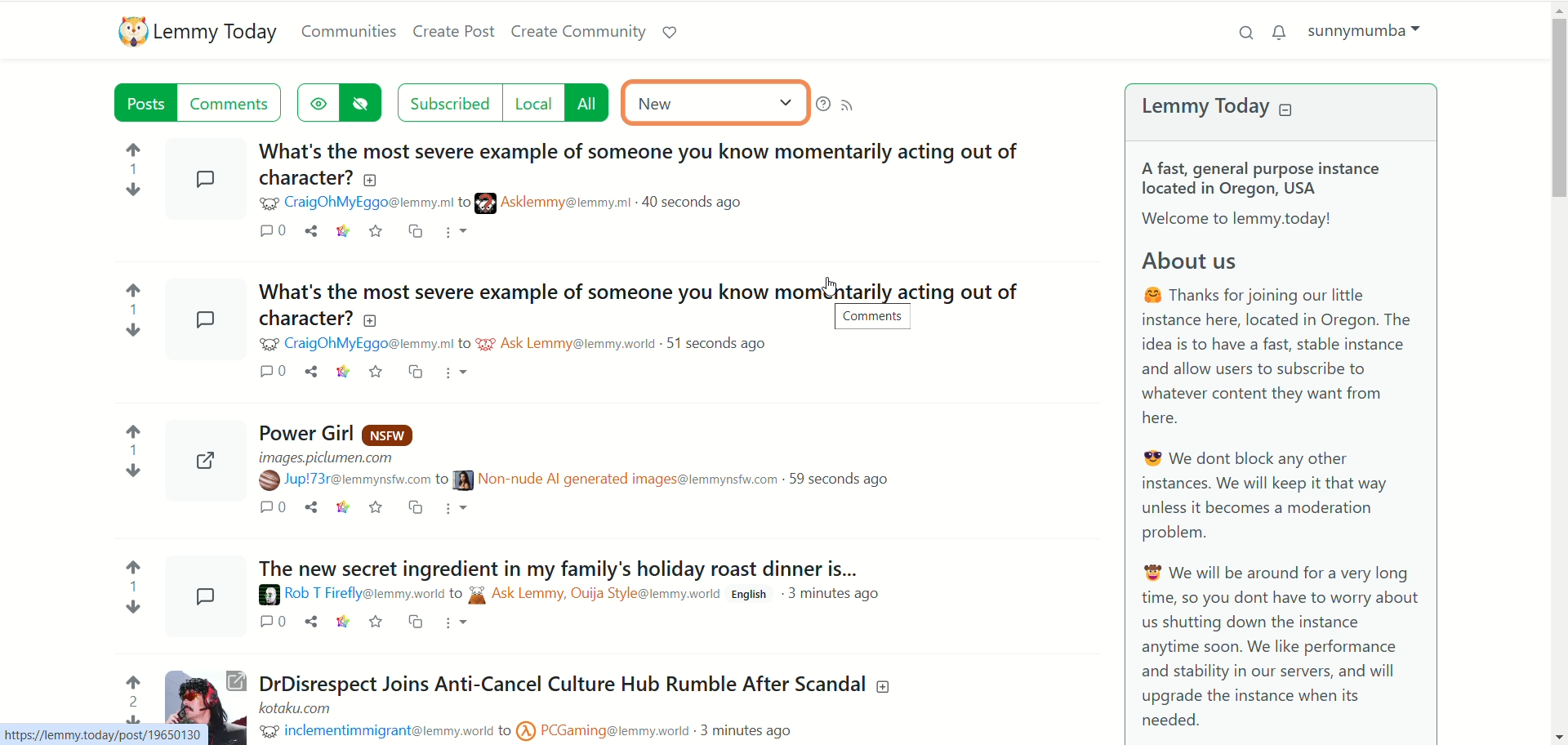 Image resolution: width=1568 pixels, height=745 pixels. Describe the element at coordinates (313, 227) in the screenshot. I see `share` at that location.